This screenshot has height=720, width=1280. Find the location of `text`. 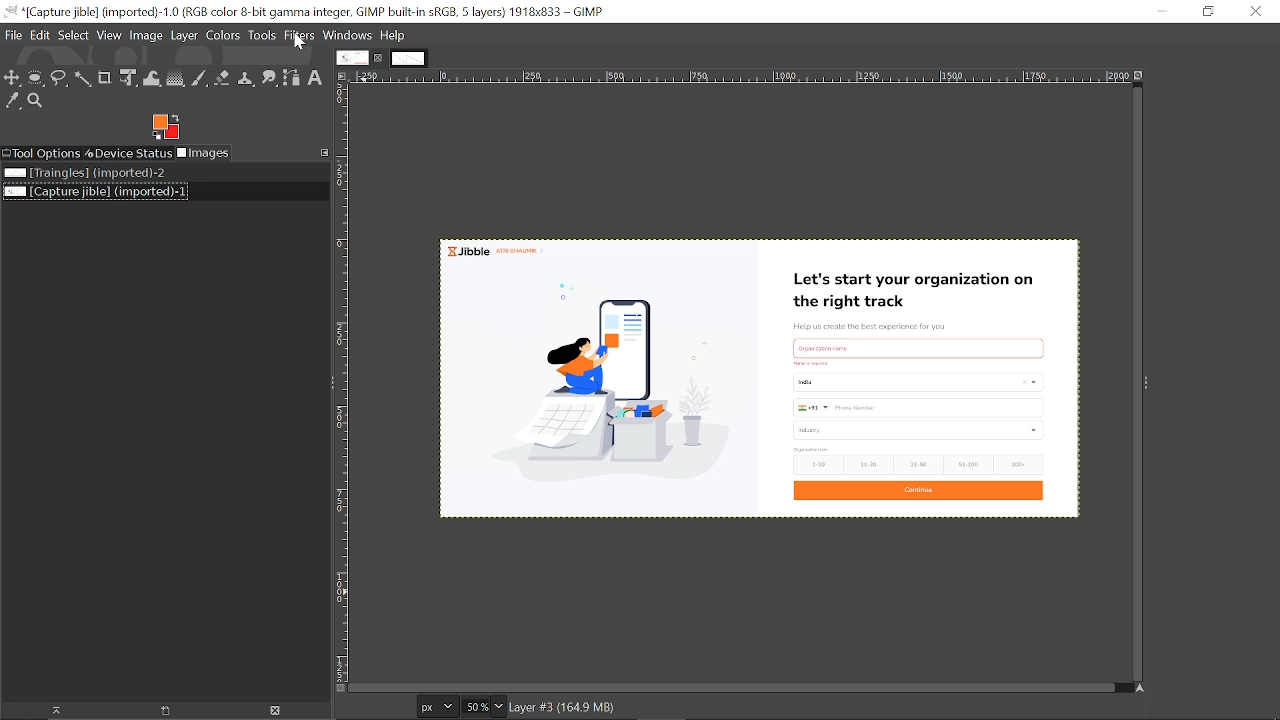

text is located at coordinates (813, 363).